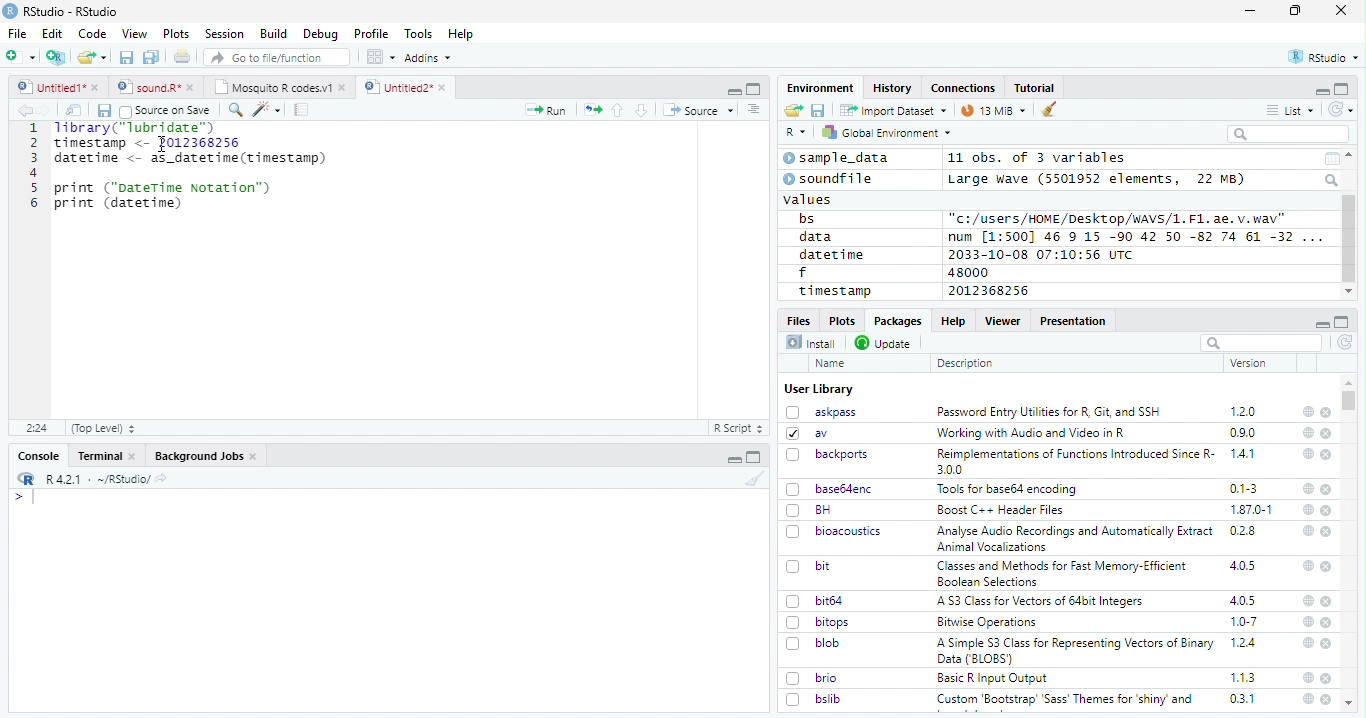  What do you see at coordinates (1328, 602) in the screenshot?
I see `close` at bounding box center [1328, 602].